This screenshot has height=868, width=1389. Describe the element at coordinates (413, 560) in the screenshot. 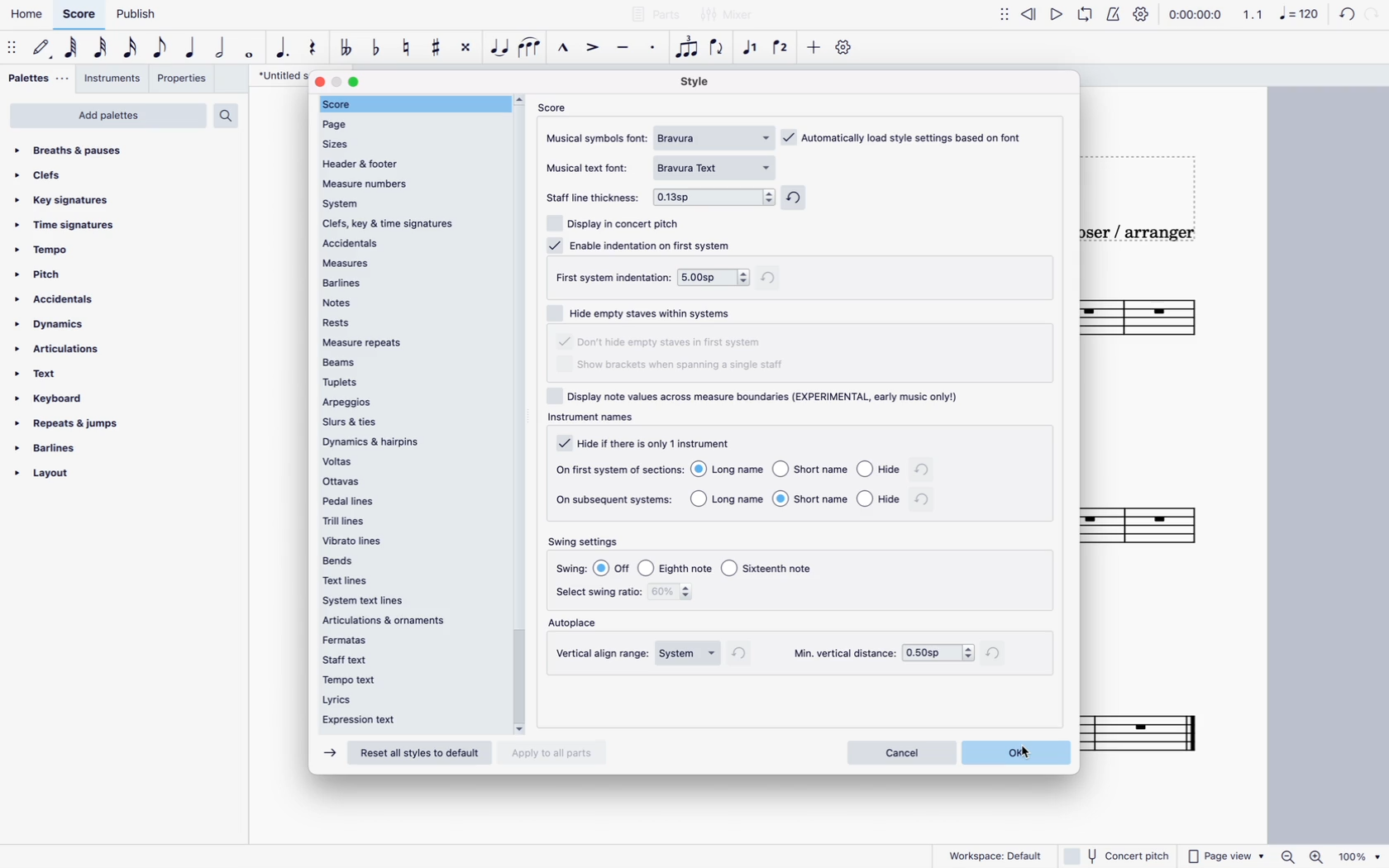

I see `bends` at that location.